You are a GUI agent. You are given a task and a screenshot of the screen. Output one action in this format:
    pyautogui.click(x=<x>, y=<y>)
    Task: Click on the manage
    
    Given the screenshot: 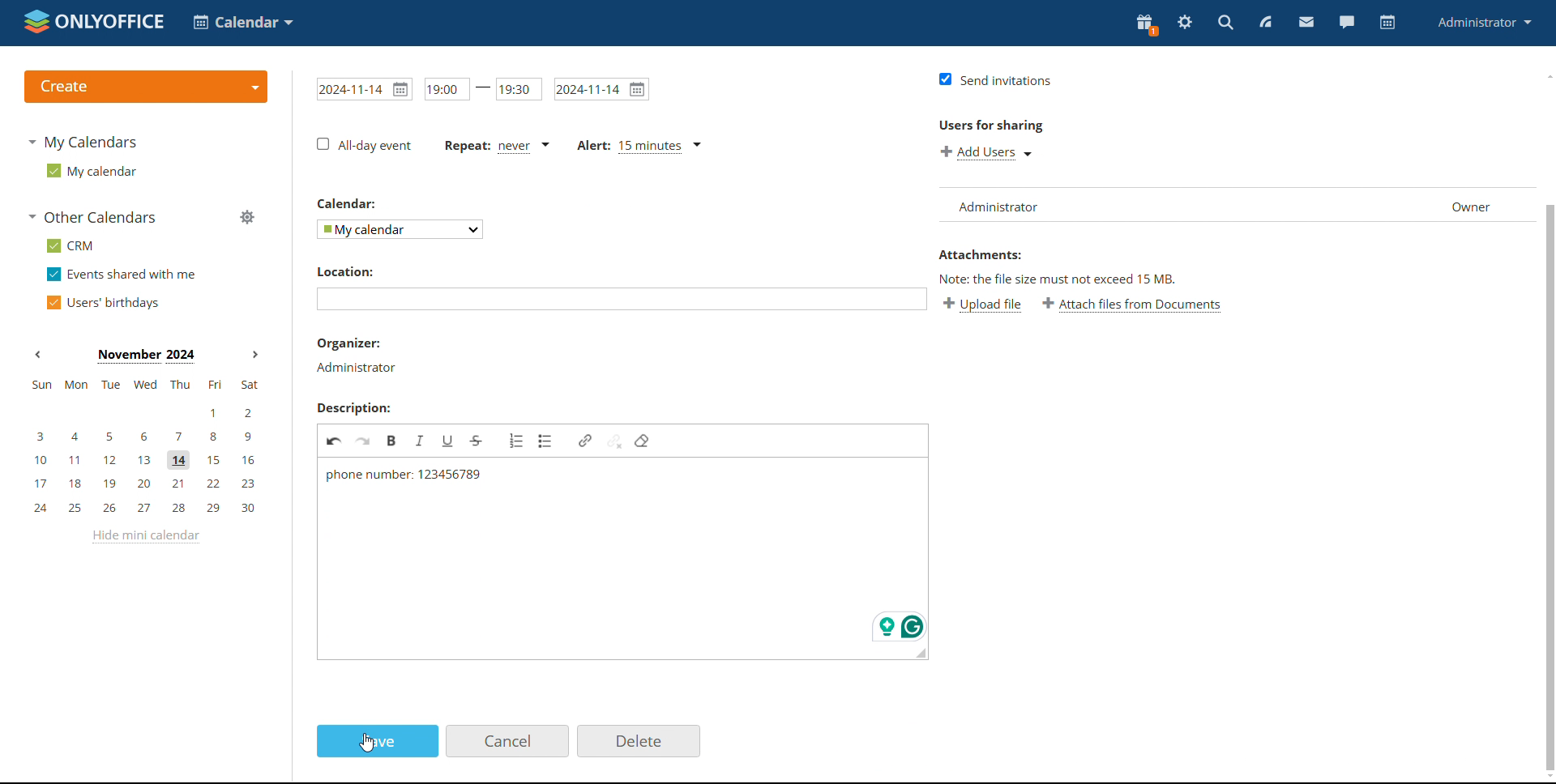 What is the action you would take?
    pyautogui.click(x=247, y=219)
    